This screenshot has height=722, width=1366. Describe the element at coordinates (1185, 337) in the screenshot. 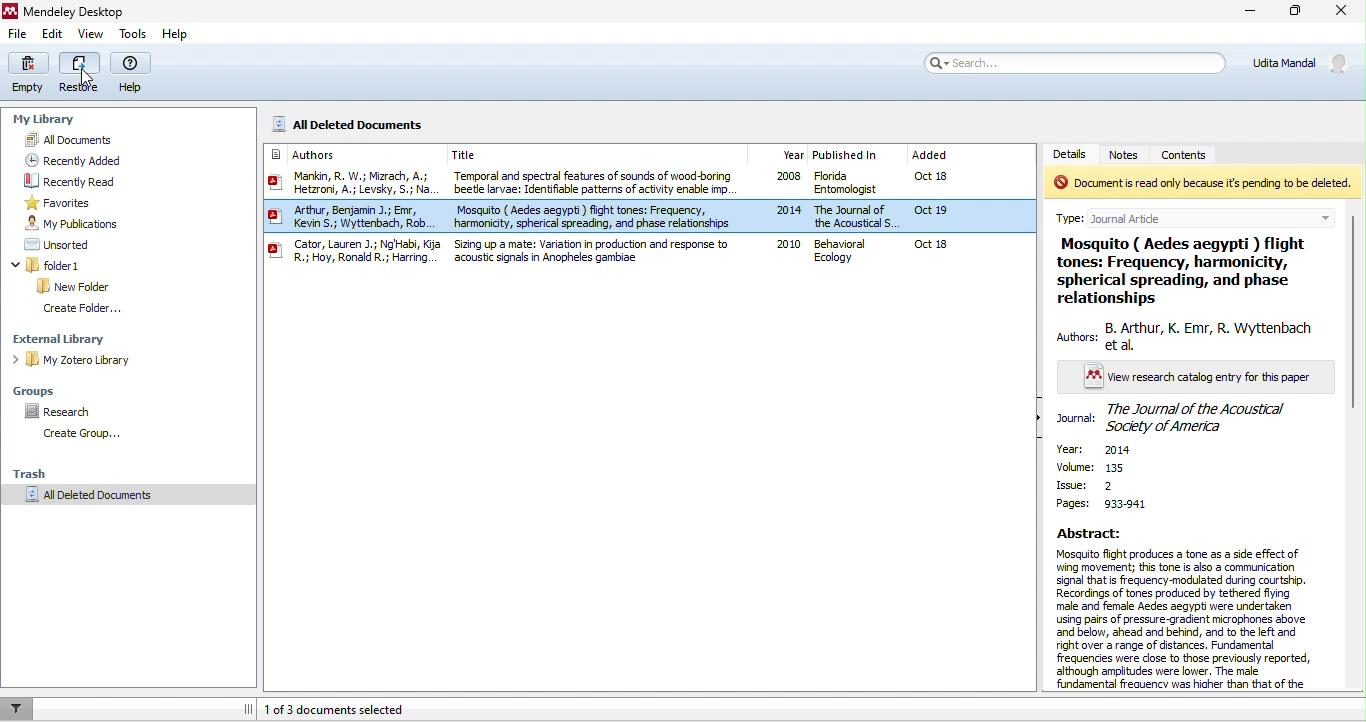

I see `. BA K. Emr, R. Wyttenbach` at that location.